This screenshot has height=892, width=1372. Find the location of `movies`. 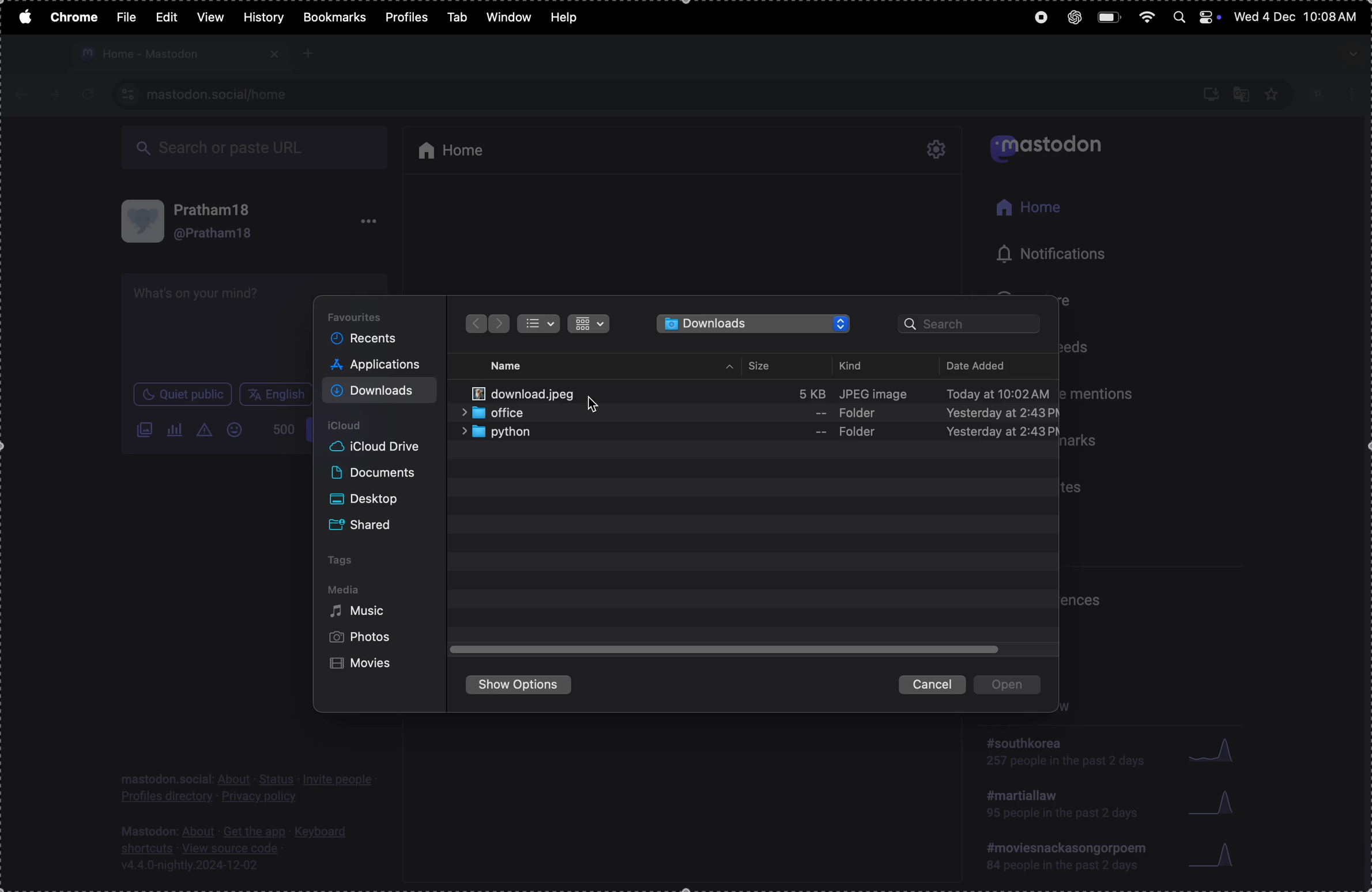

movies is located at coordinates (365, 666).